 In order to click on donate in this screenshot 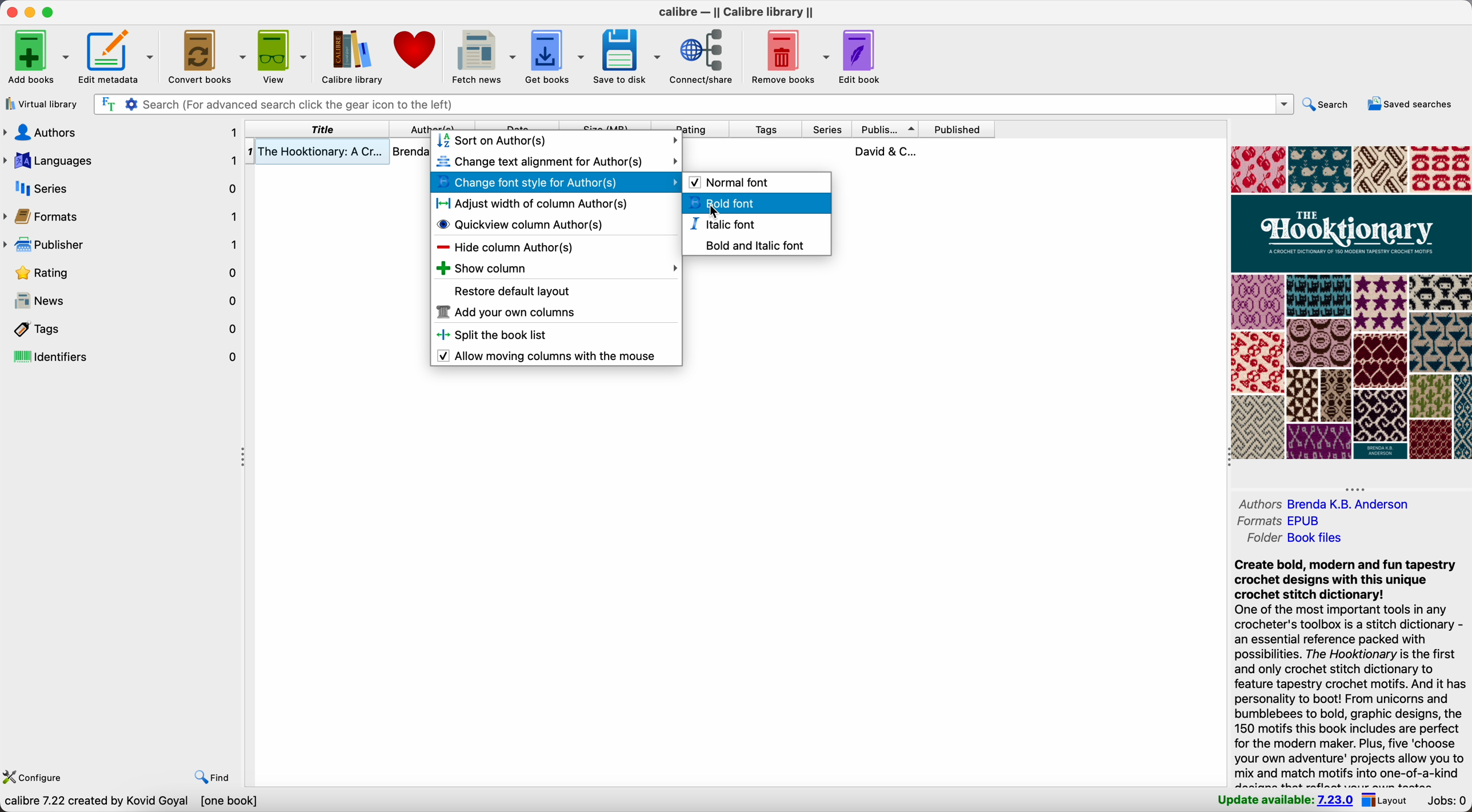, I will do `click(417, 51)`.